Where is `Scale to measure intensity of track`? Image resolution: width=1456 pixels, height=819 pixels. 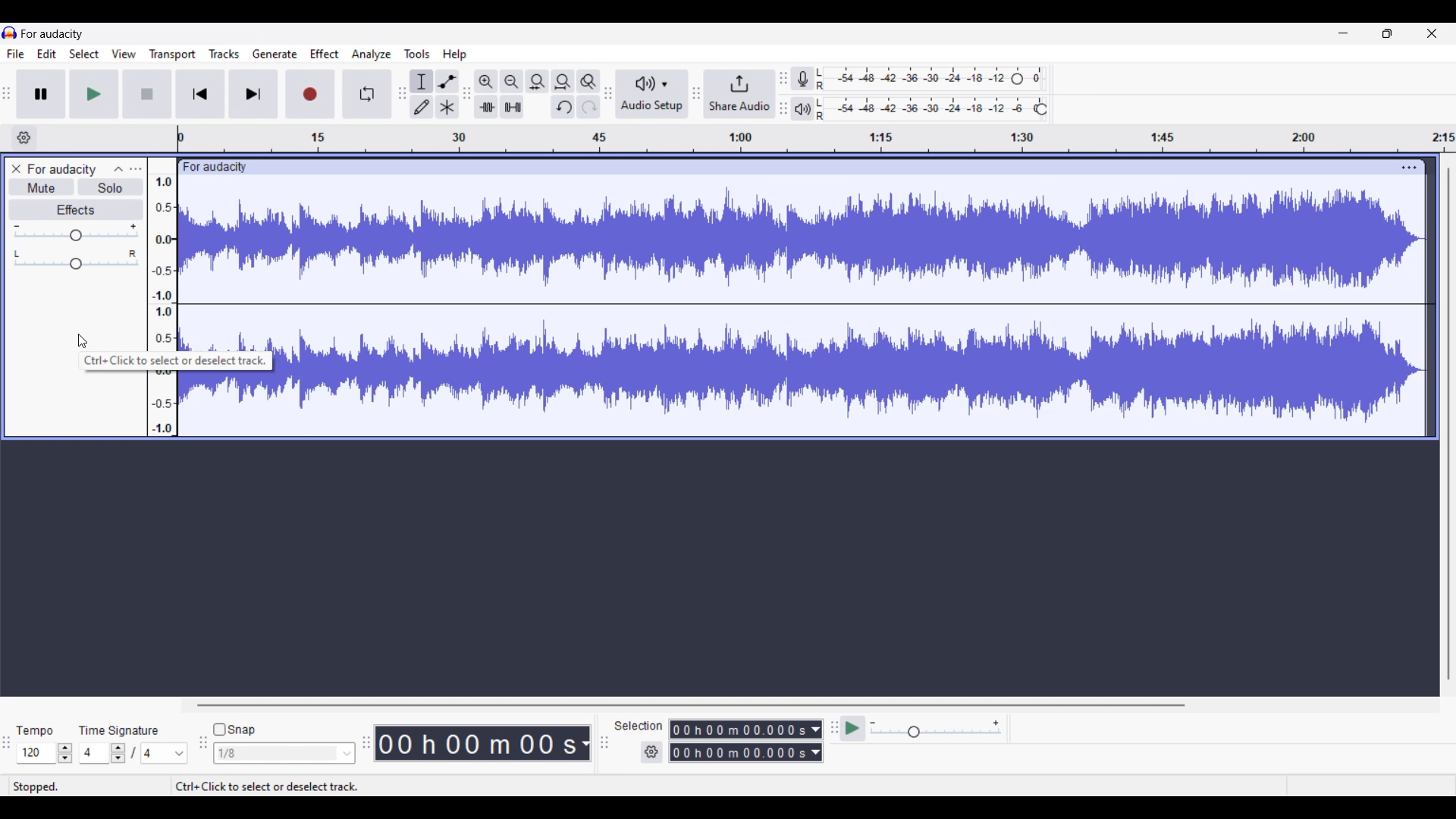
Scale to measure intensity of track is located at coordinates (162, 262).